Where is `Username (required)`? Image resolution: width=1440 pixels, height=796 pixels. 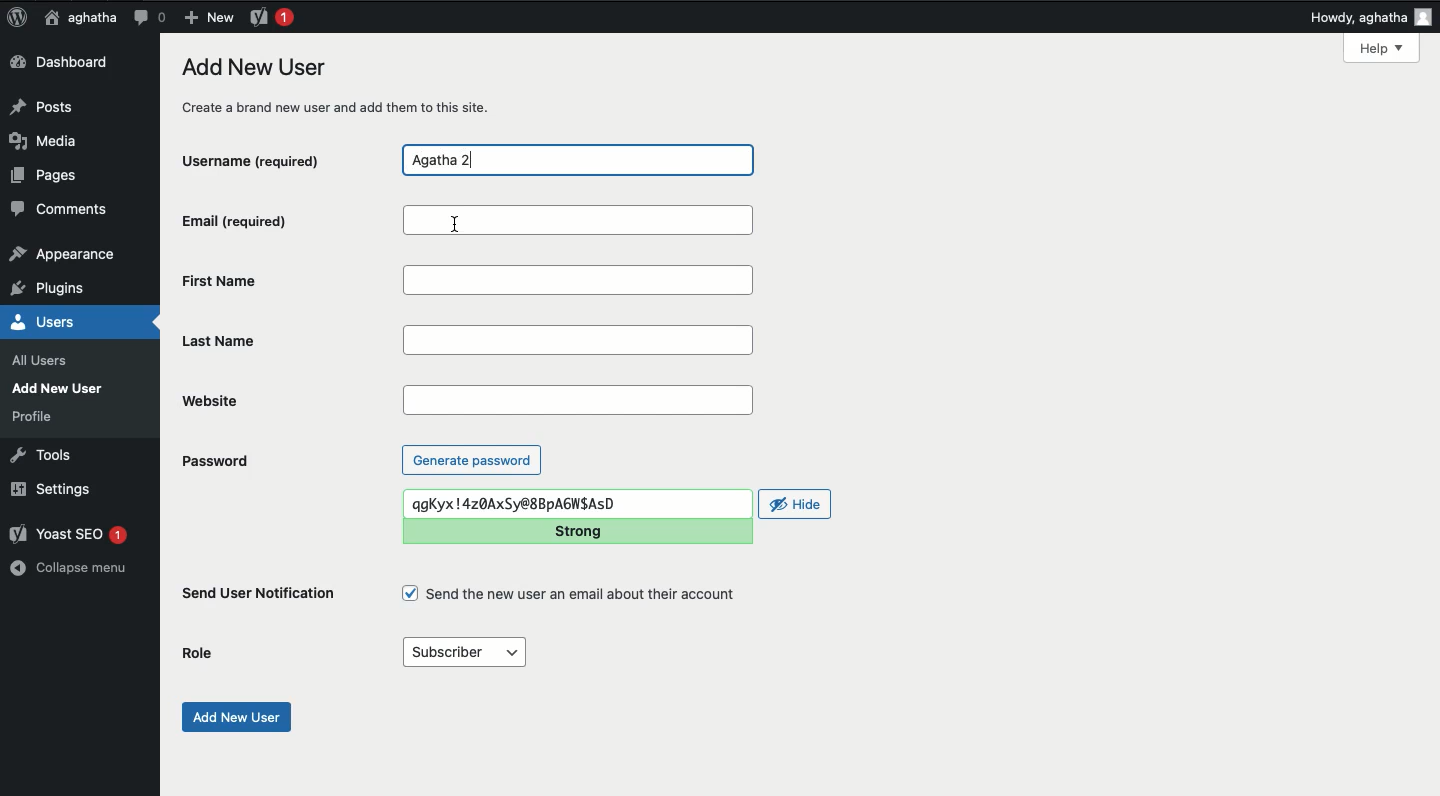
Username (required) is located at coordinates (269, 159).